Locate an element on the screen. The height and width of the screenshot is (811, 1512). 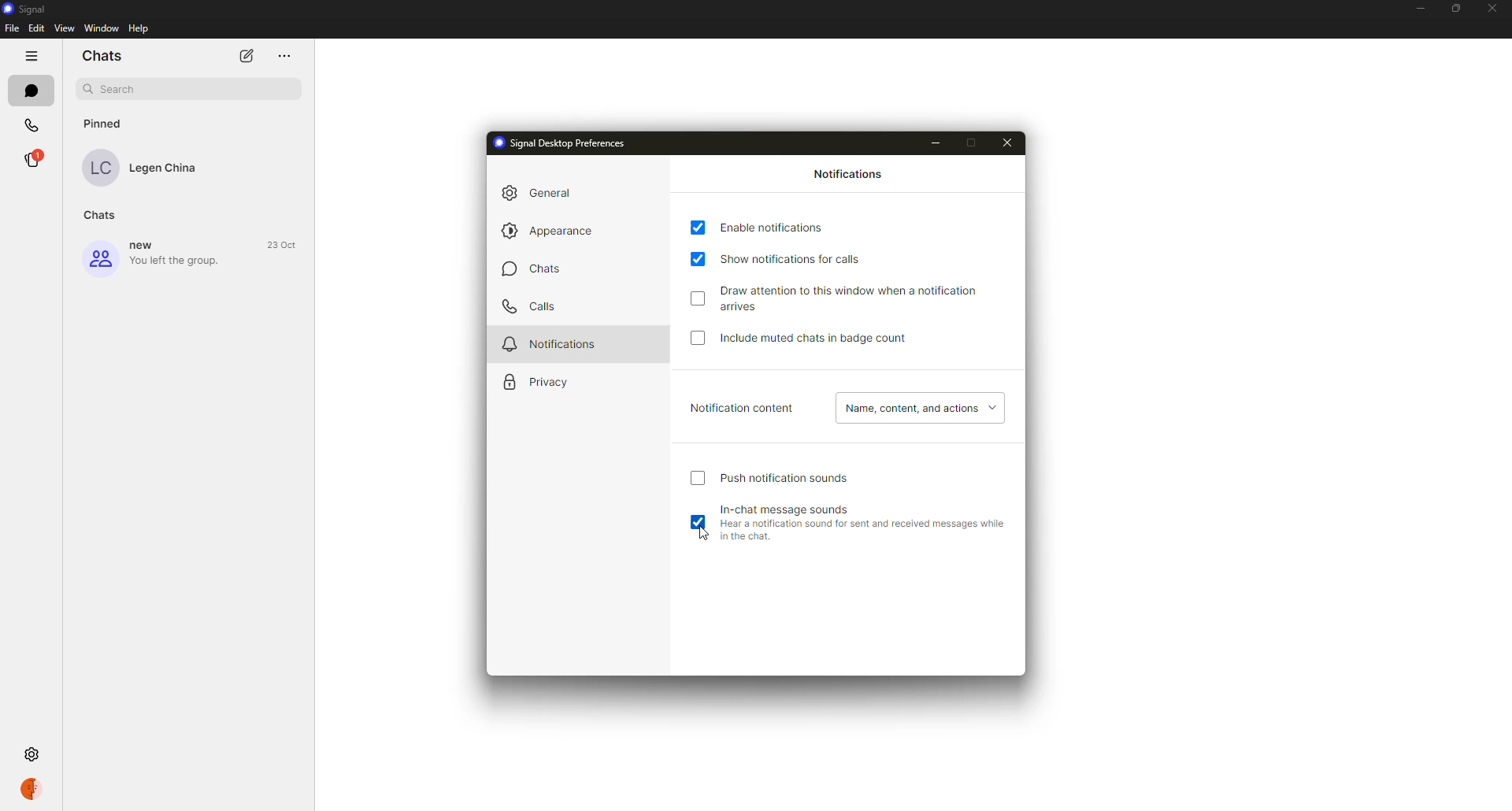
Legen China is located at coordinates (164, 168).